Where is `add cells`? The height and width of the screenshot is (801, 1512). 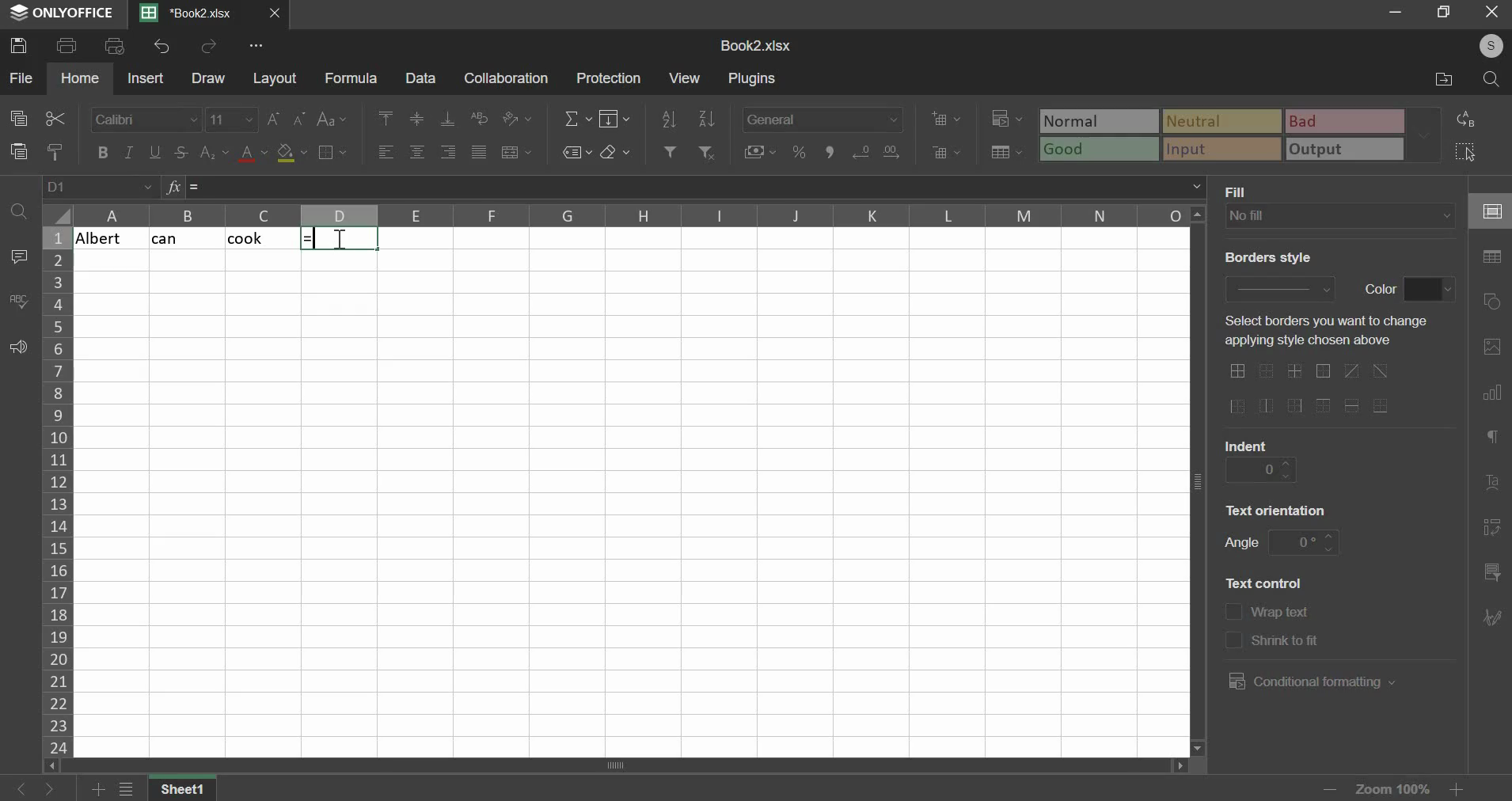
add cells is located at coordinates (946, 118).